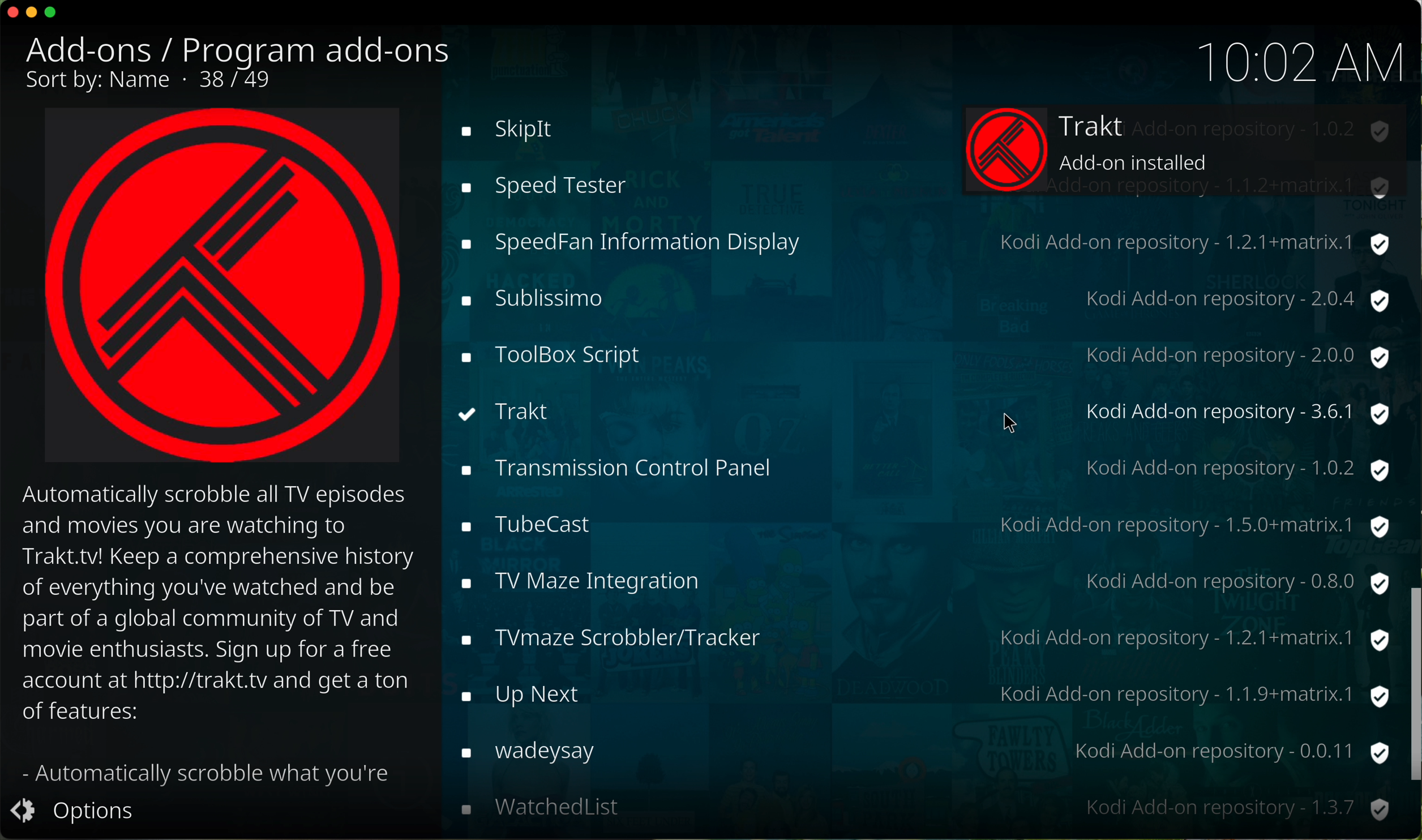 Image resolution: width=1422 pixels, height=840 pixels. Describe the element at coordinates (1412, 738) in the screenshot. I see `mouse up` at that location.